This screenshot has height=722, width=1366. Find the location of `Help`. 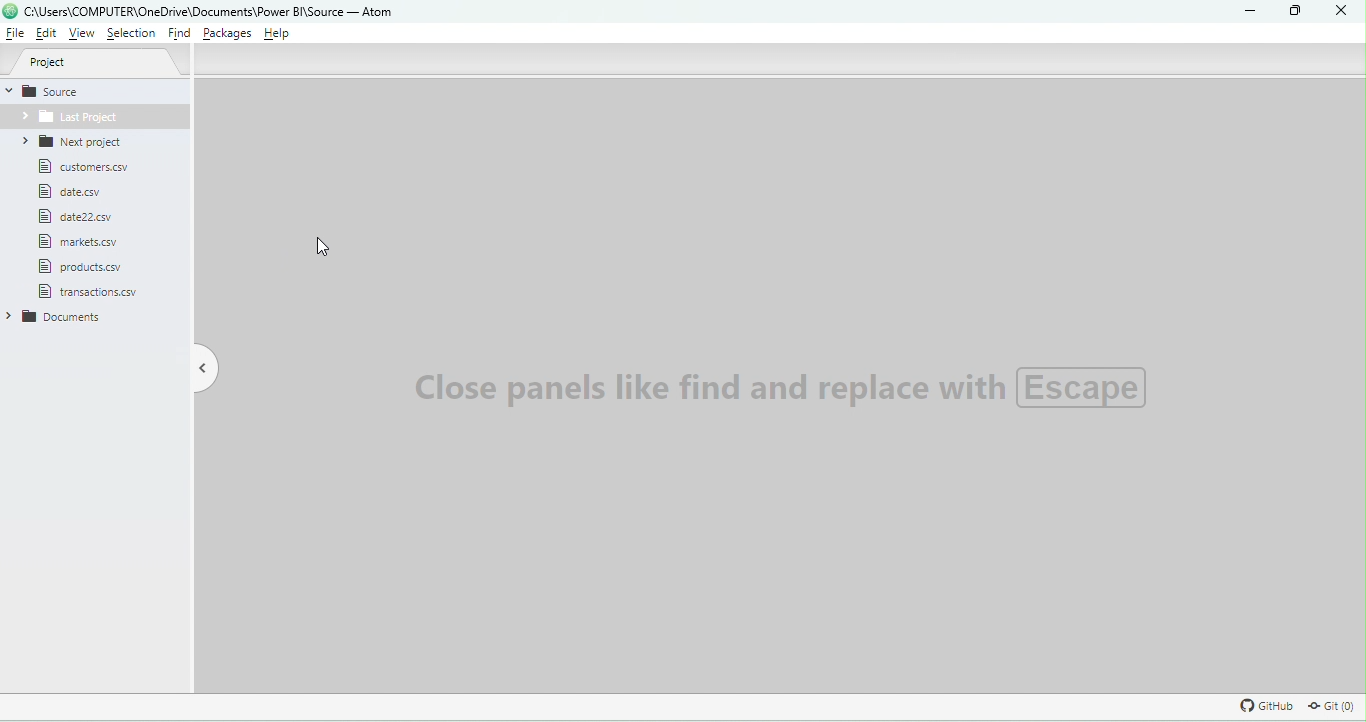

Help is located at coordinates (283, 35).